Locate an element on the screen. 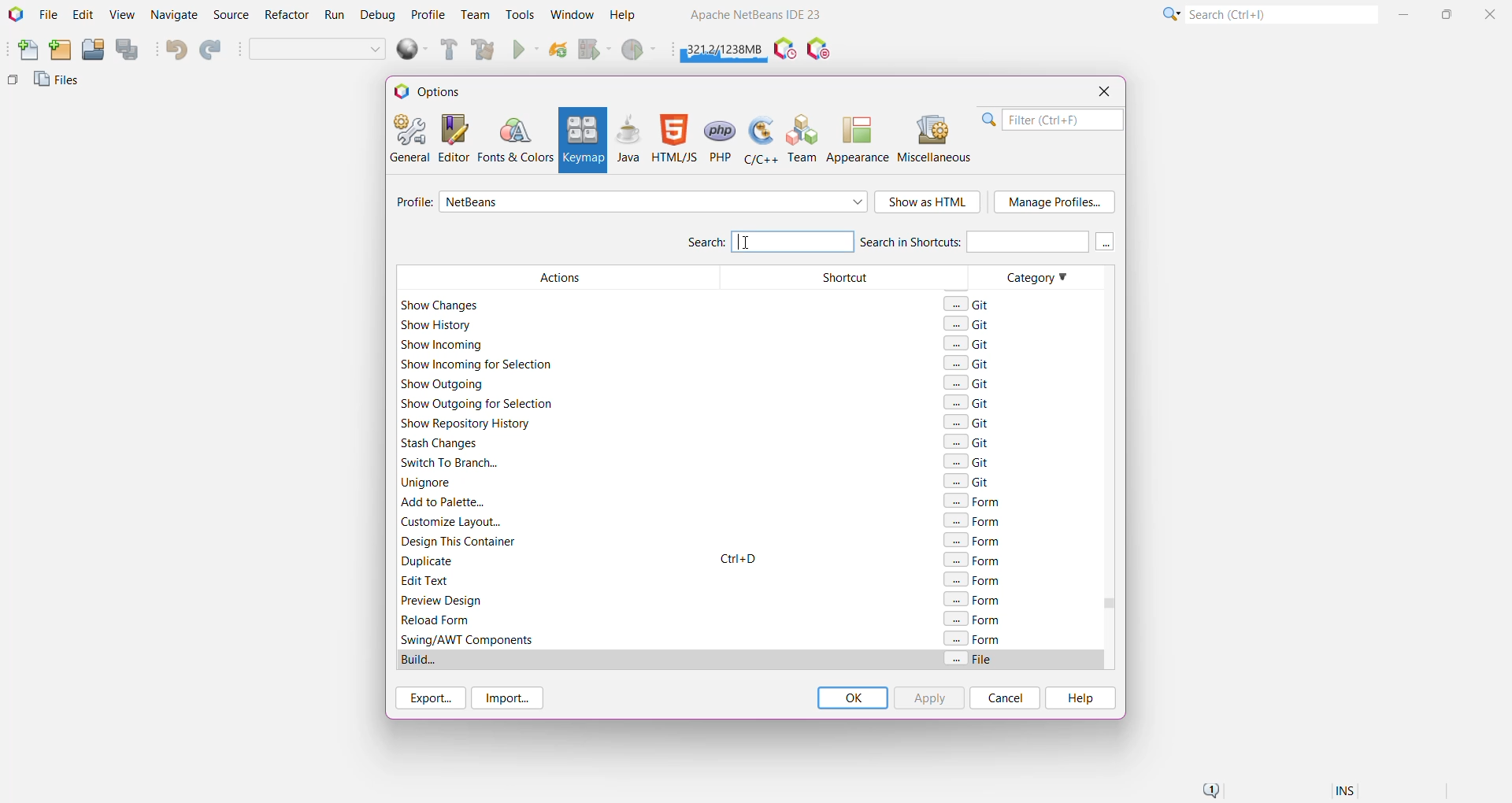 The image size is (1512, 803). File is located at coordinates (48, 15).